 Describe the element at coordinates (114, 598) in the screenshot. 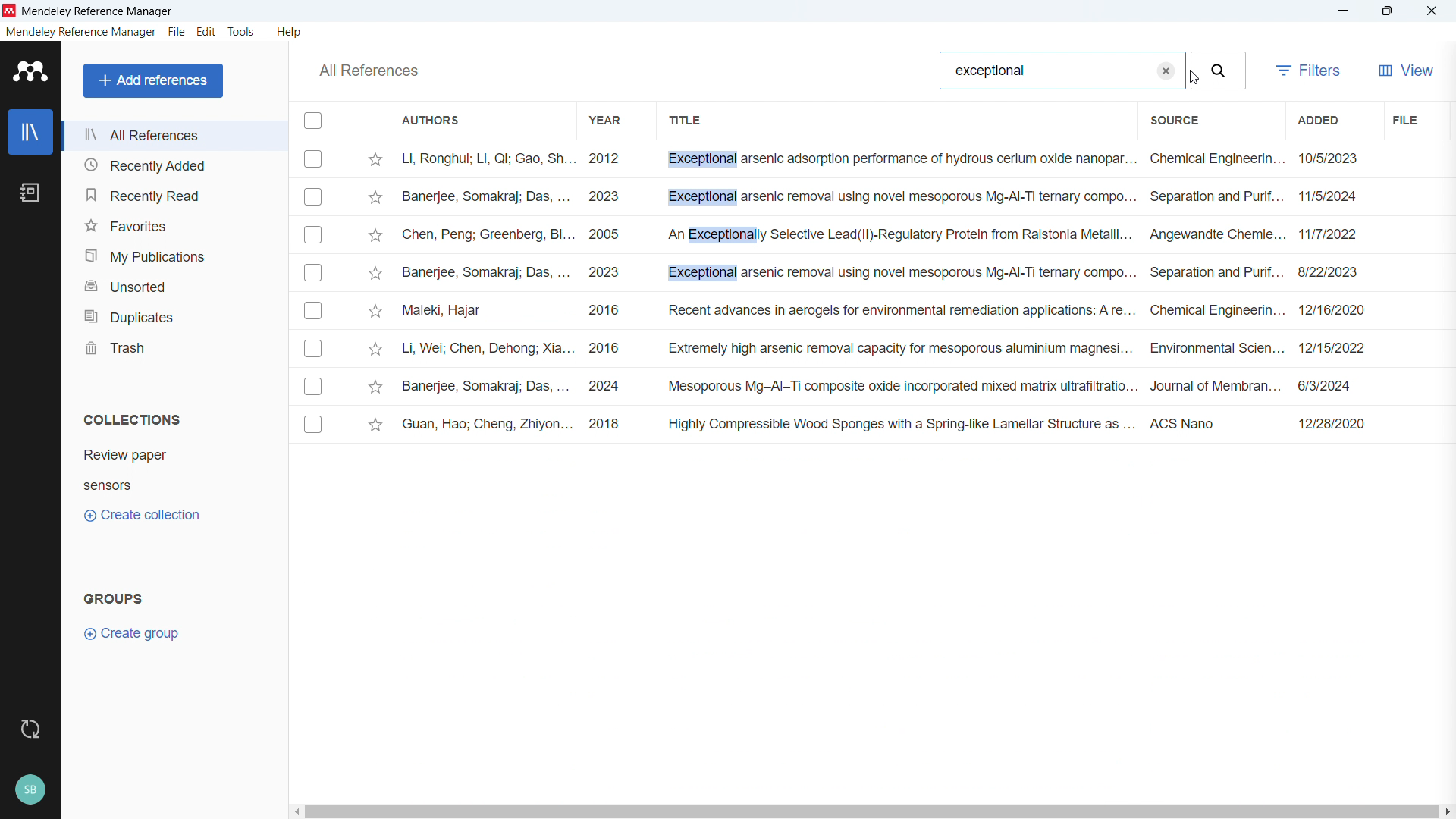

I see `Groups ` at that location.